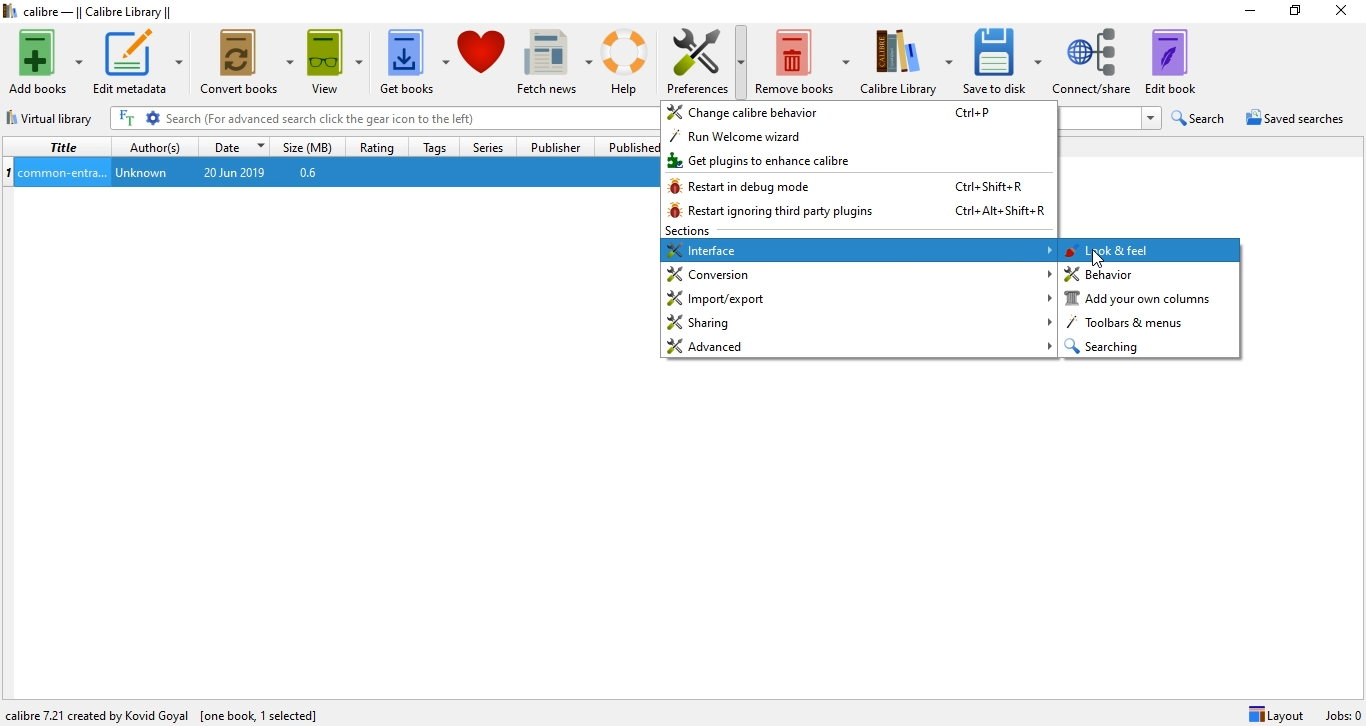  Describe the element at coordinates (44, 62) in the screenshot. I see `Add books` at that location.